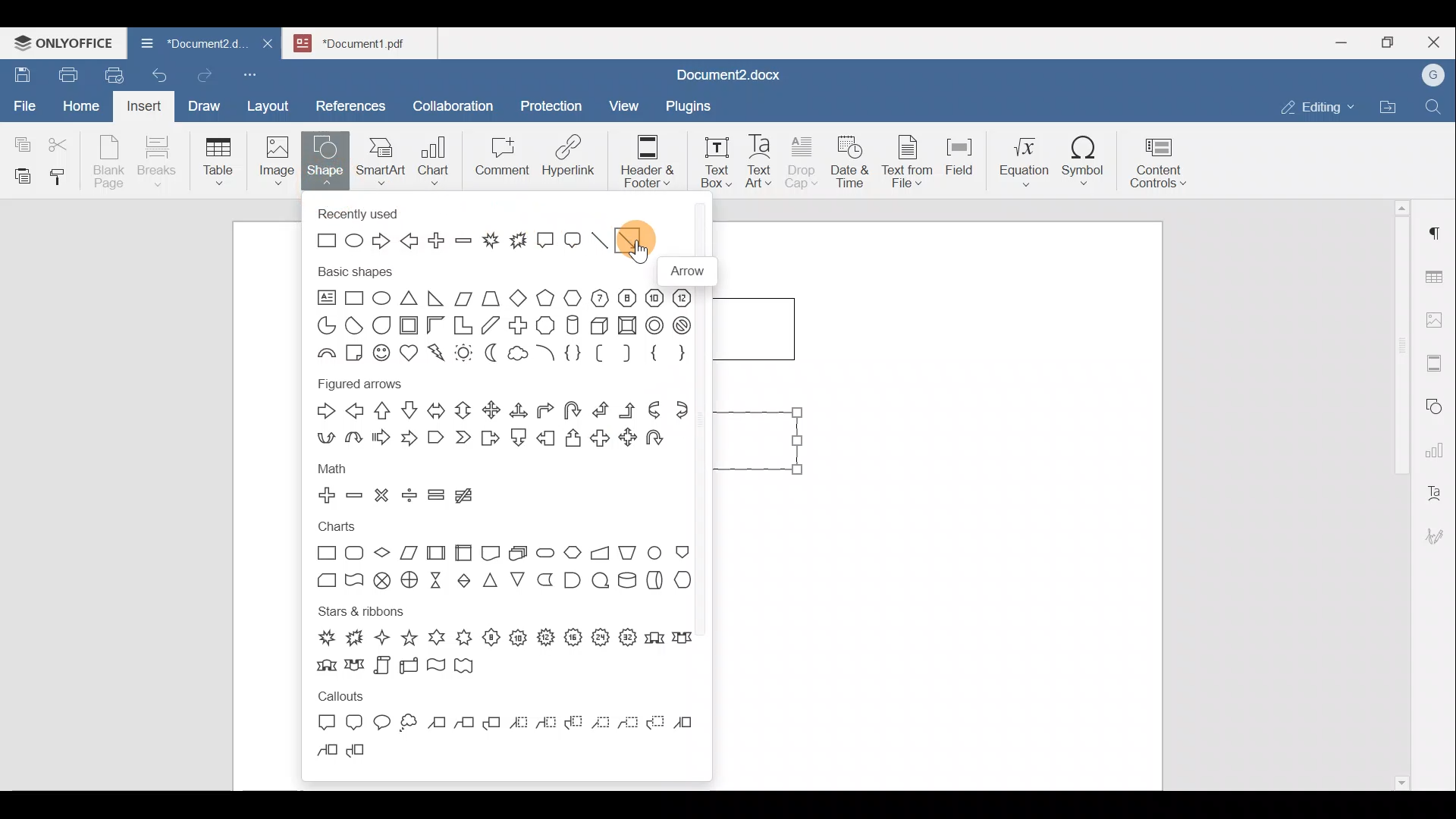 This screenshot has width=1456, height=819. Describe the element at coordinates (110, 73) in the screenshot. I see `Quick print` at that location.